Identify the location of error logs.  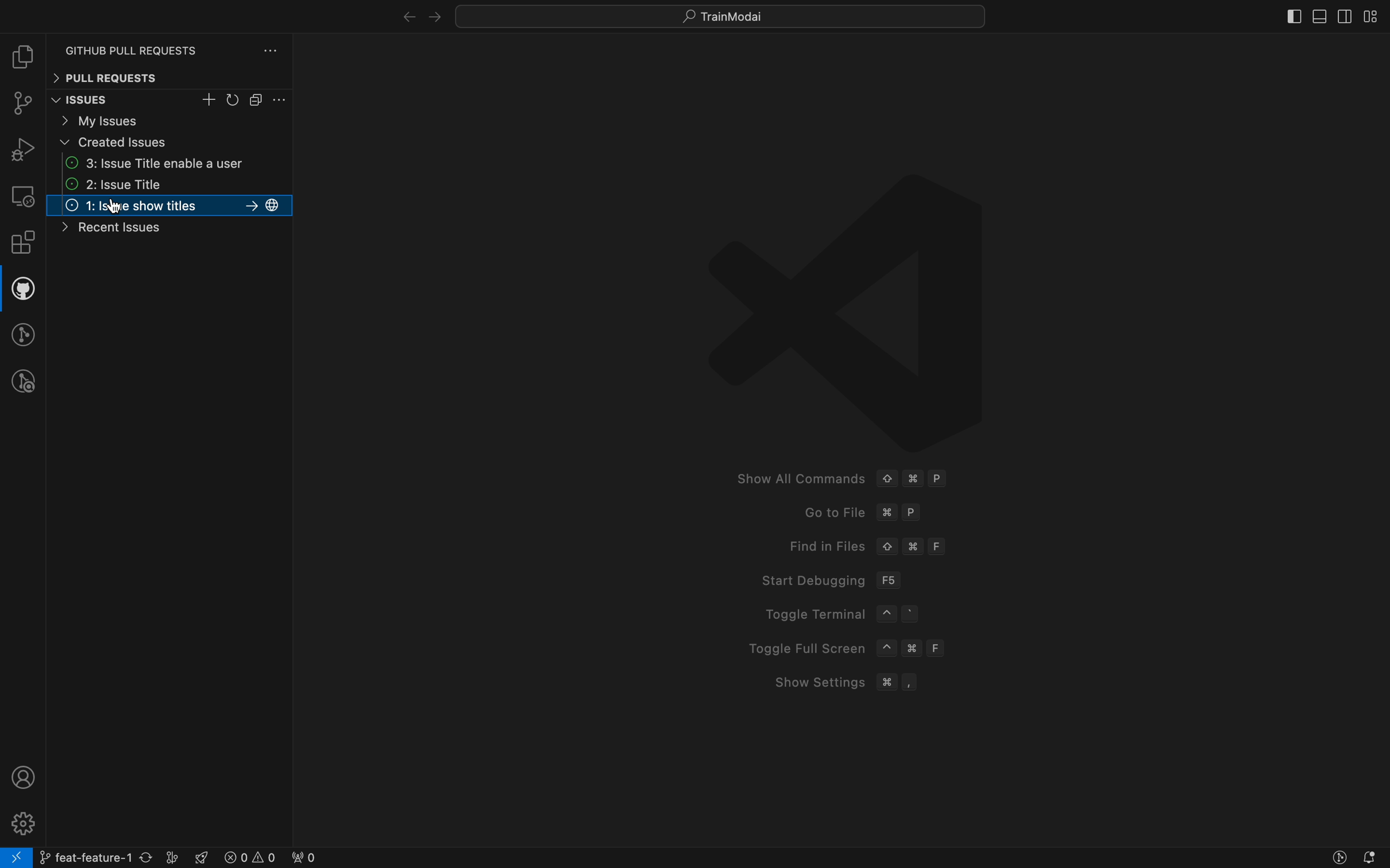
(269, 857).